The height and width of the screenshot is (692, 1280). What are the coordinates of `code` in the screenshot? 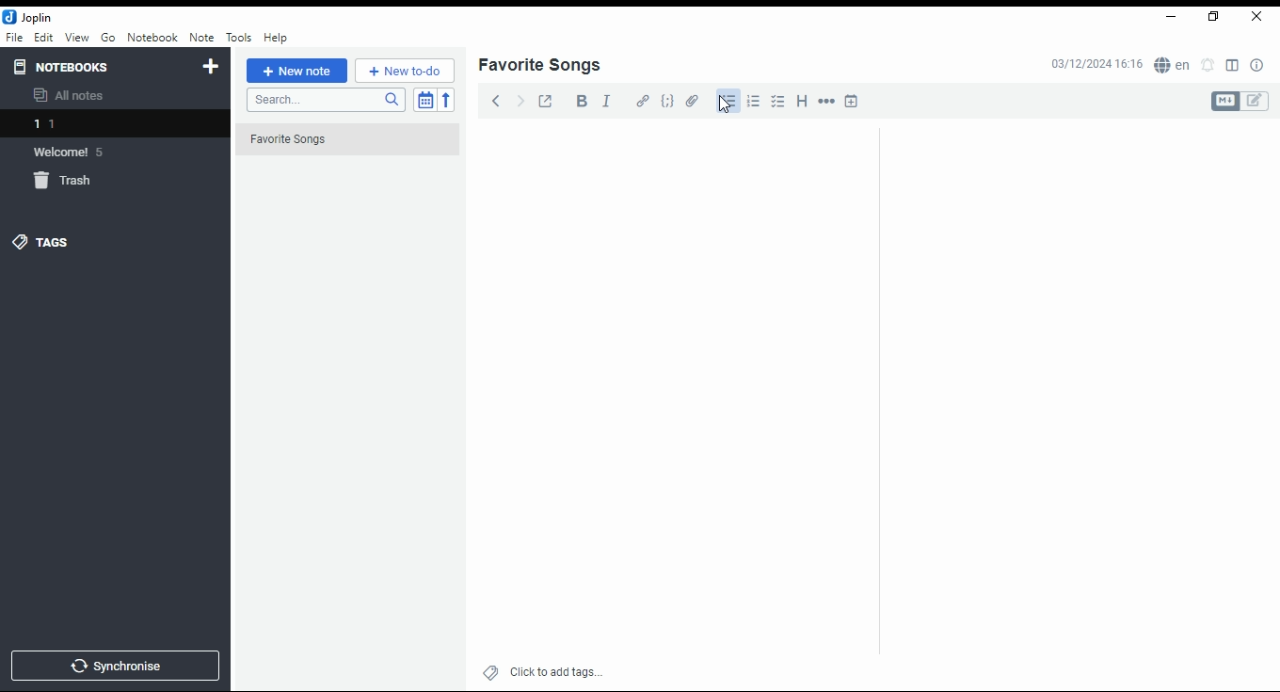 It's located at (667, 101).